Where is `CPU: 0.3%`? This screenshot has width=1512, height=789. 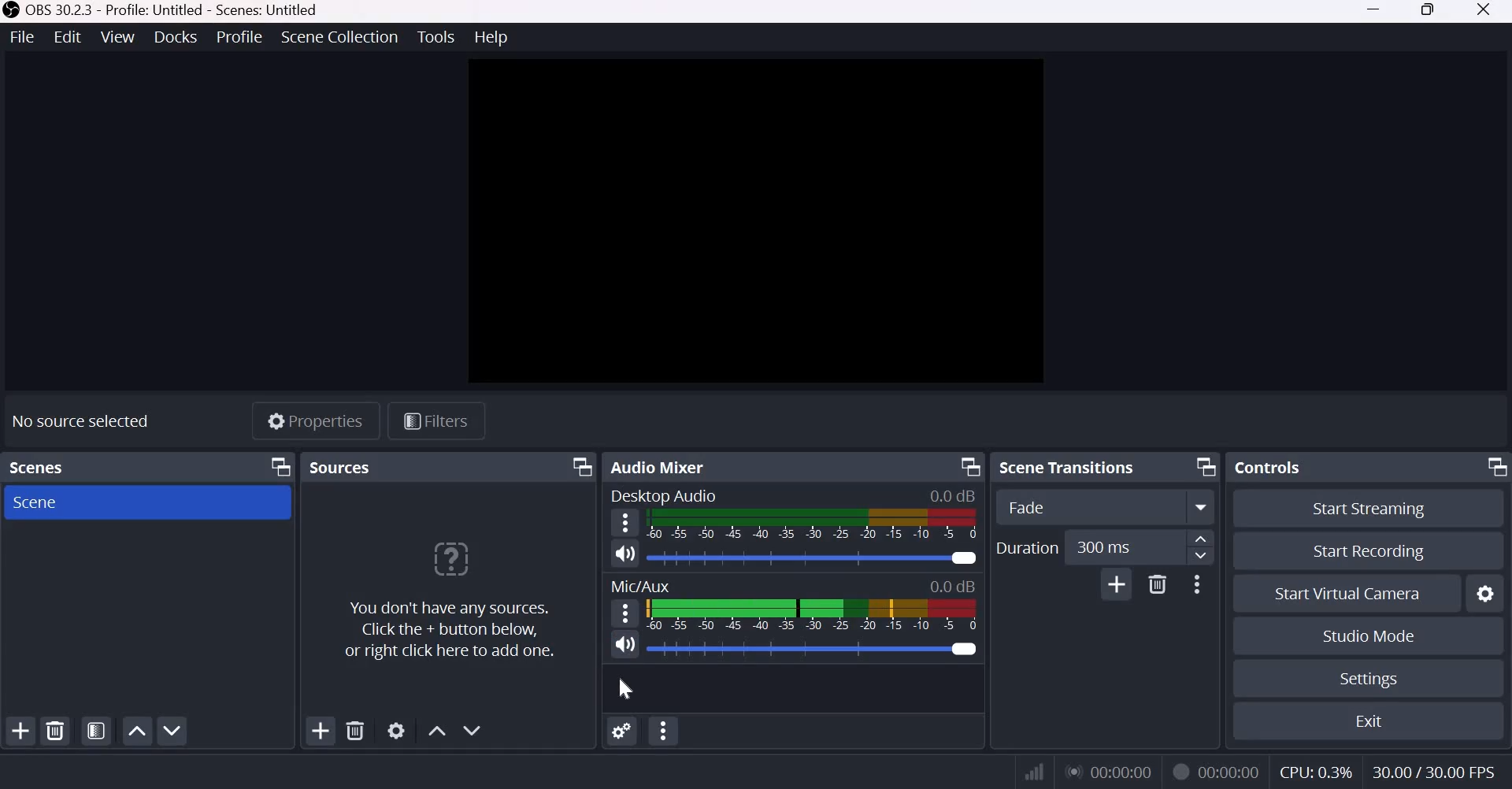 CPU: 0.3% is located at coordinates (1315, 769).